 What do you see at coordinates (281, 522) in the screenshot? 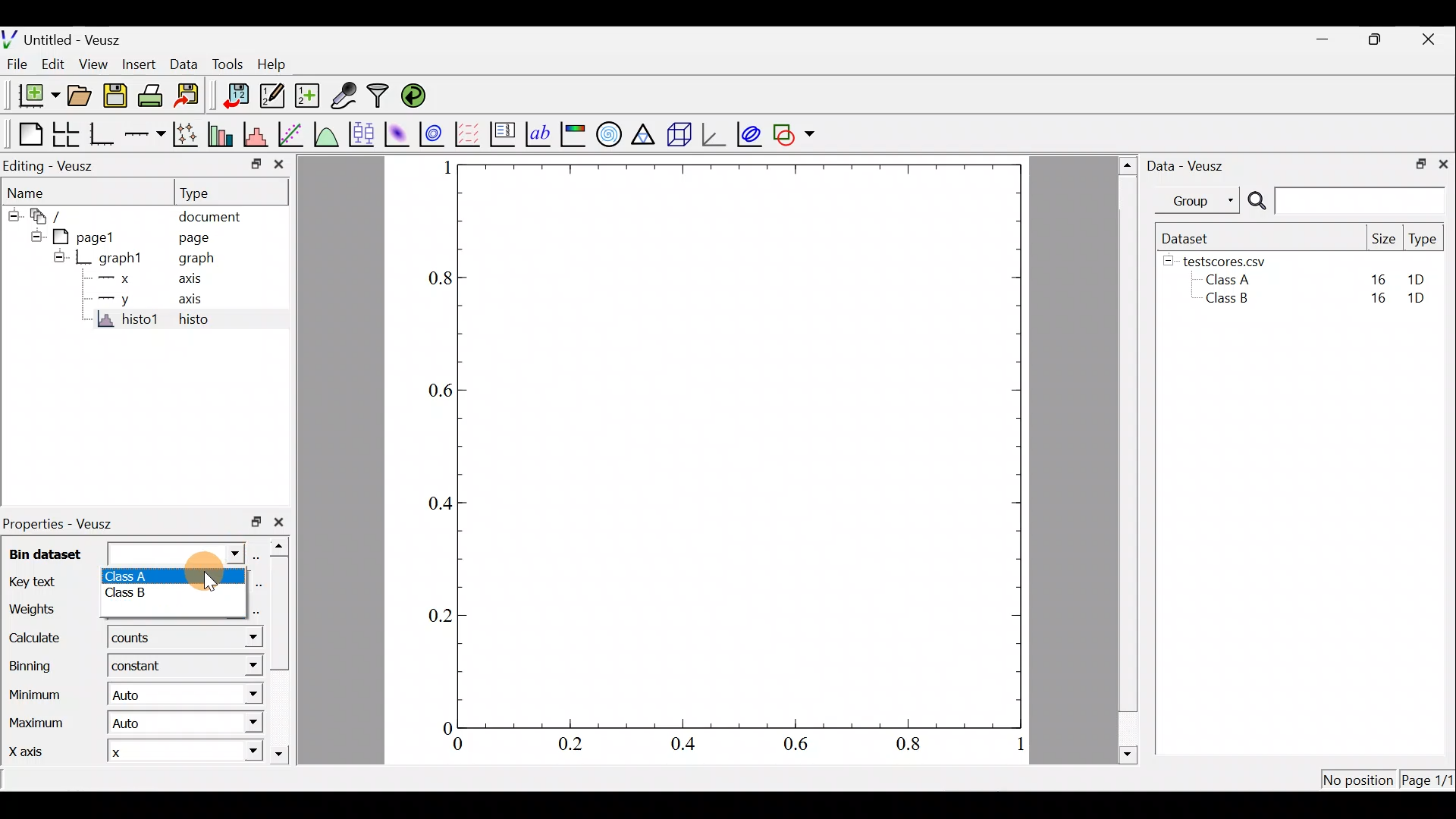
I see `close` at bounding box center [281, 522].